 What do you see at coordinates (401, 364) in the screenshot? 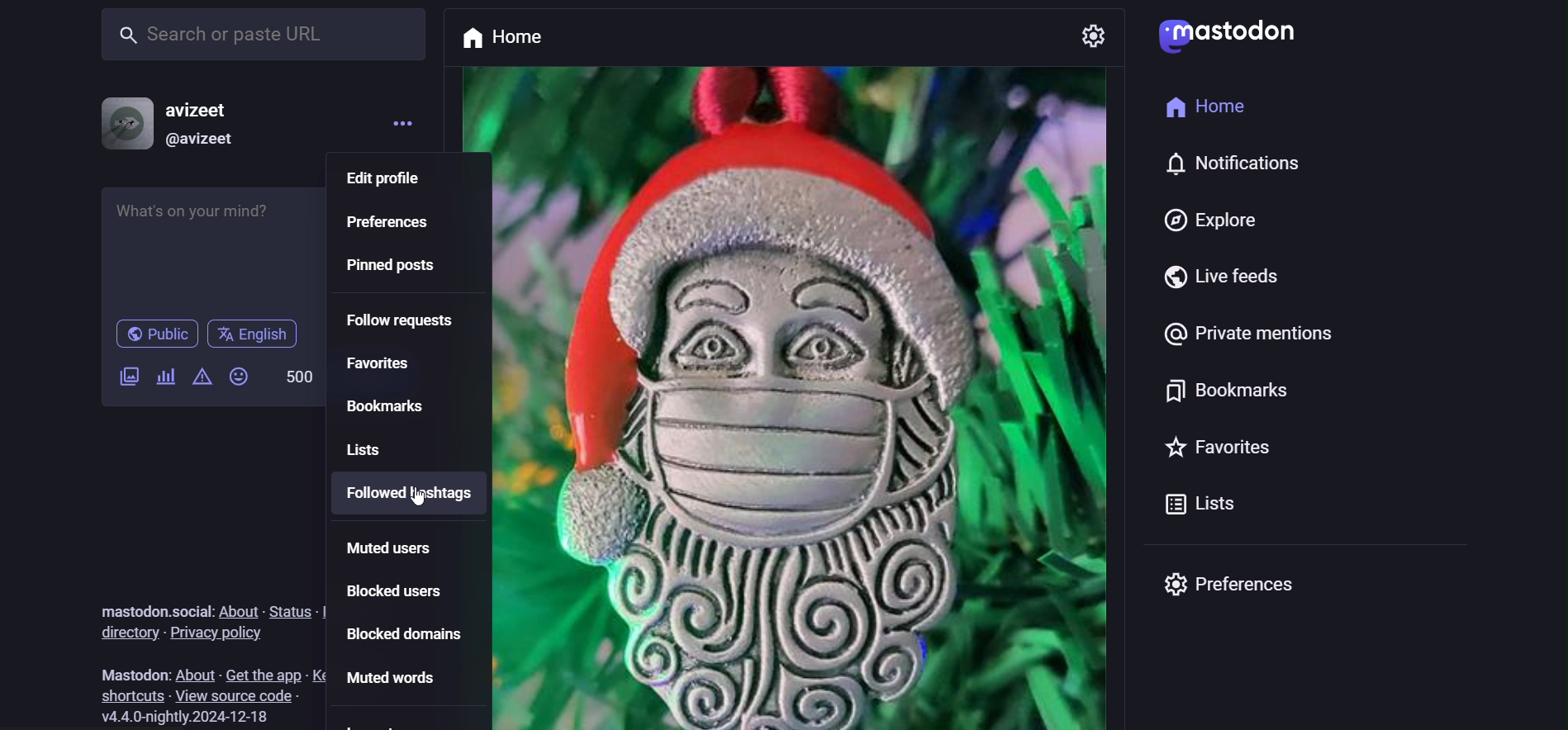
I see `favorites` at bounding box center [401, 364].